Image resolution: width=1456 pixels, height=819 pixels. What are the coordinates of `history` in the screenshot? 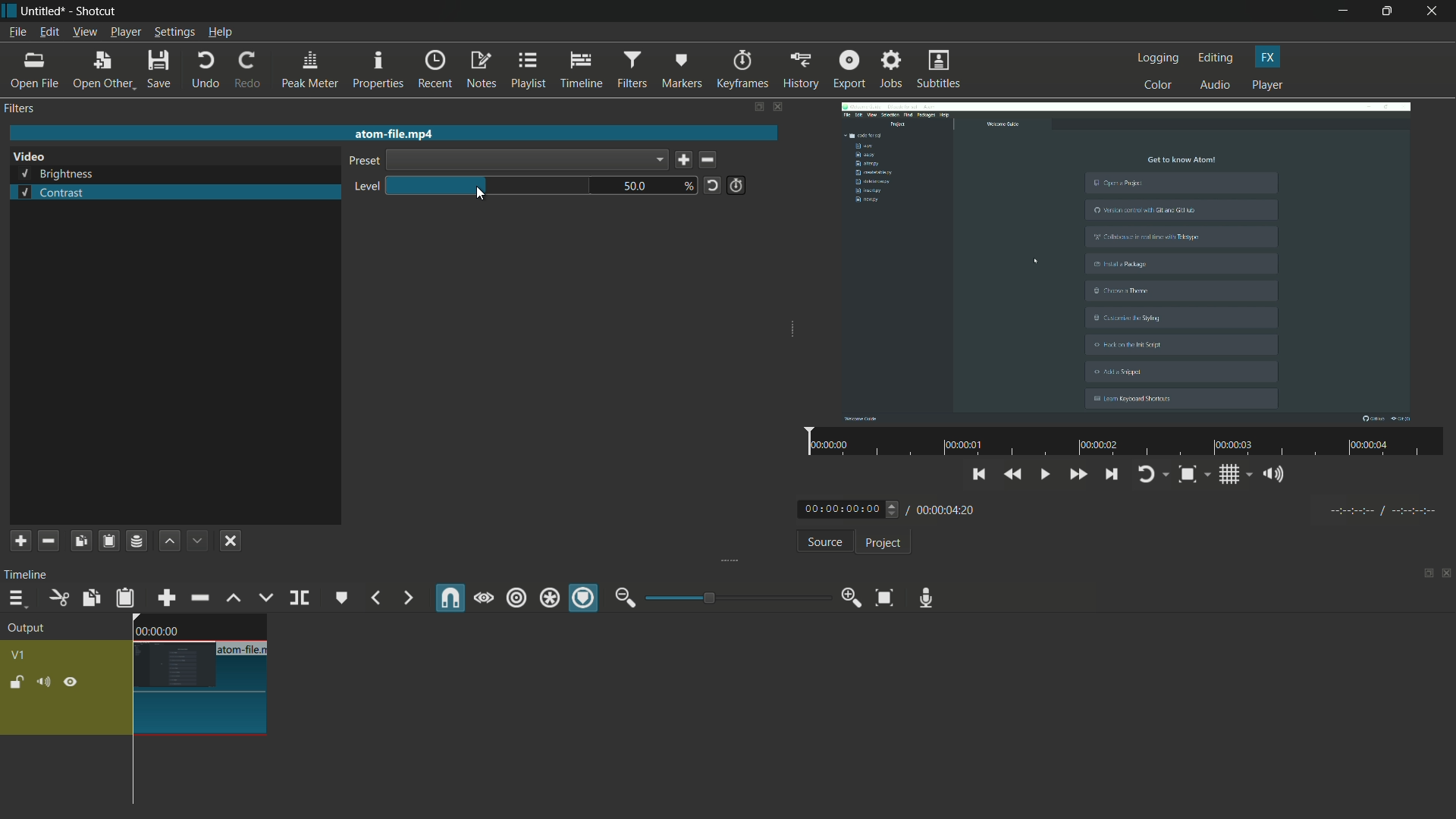 It's located at (799, 70).